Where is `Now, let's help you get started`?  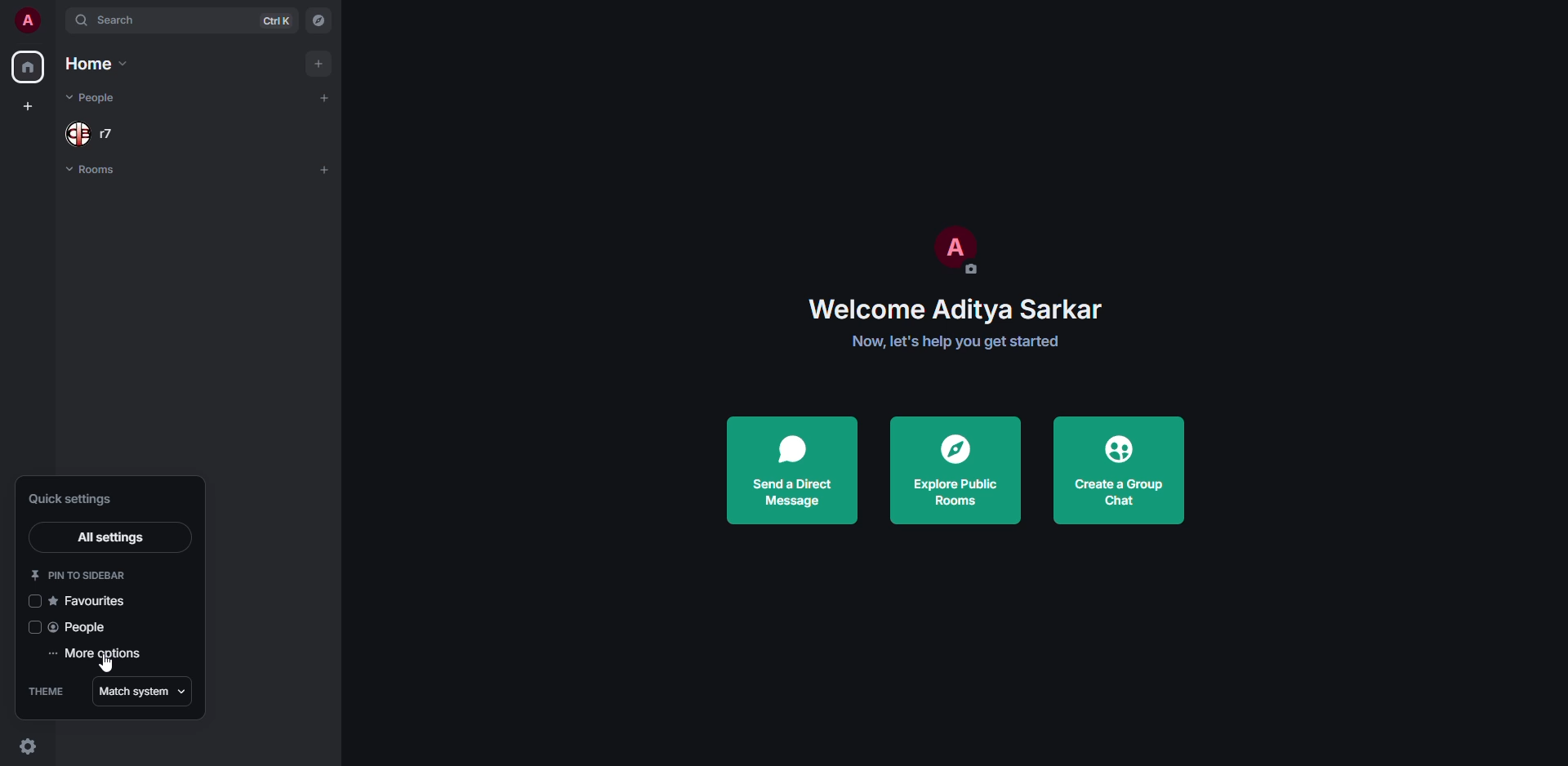
Now, let's help you get started is located at coordinates (952, 344).